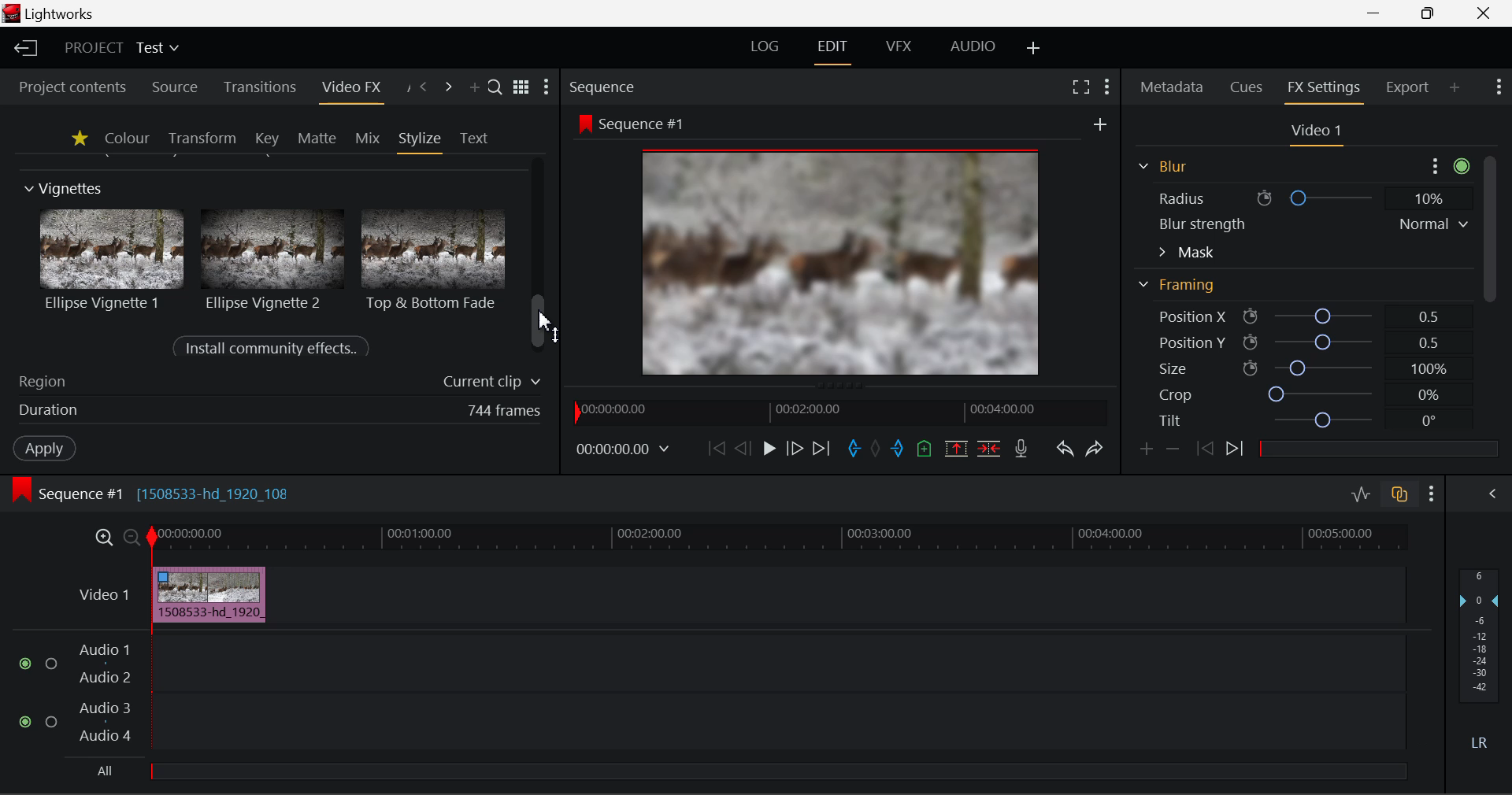 Image resolution: width=1512 pixels, height=795 pixels. I want to click on Show Settings, so click(1107, 85).